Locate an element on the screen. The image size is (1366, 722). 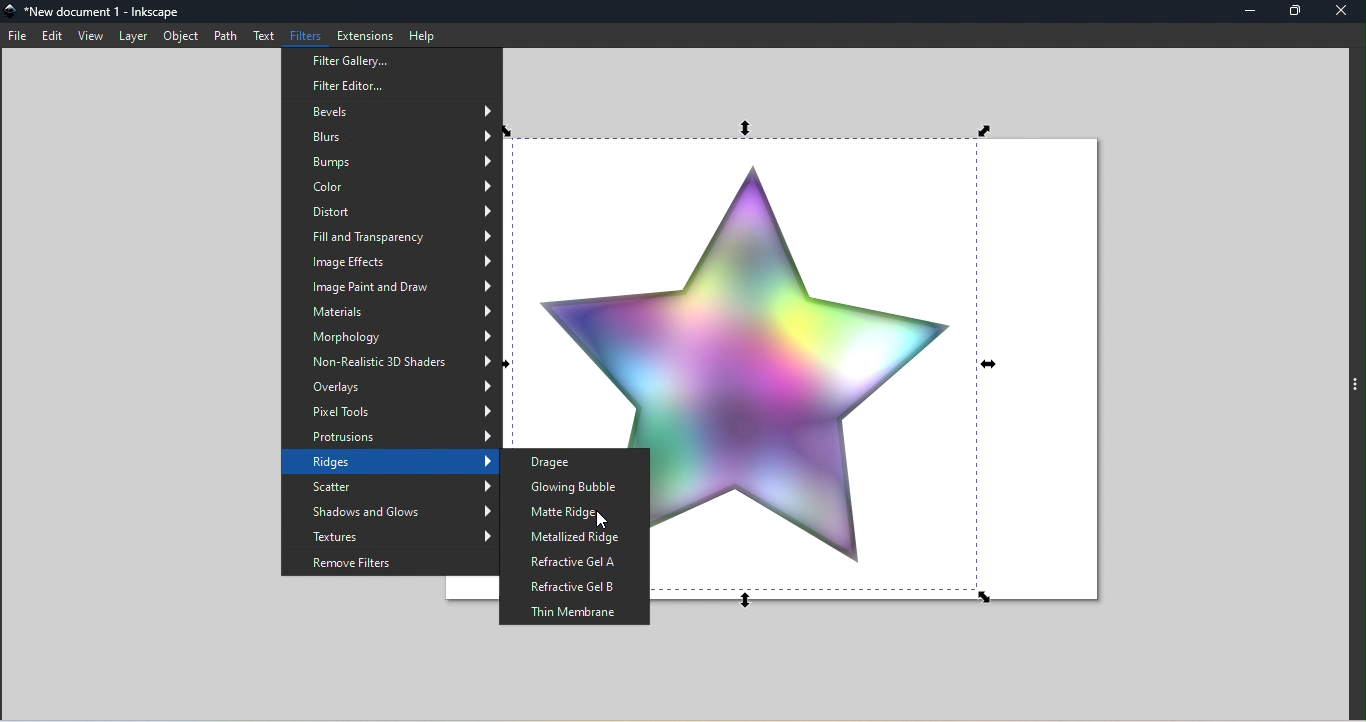
Distort is located at coordinates (391, 215).